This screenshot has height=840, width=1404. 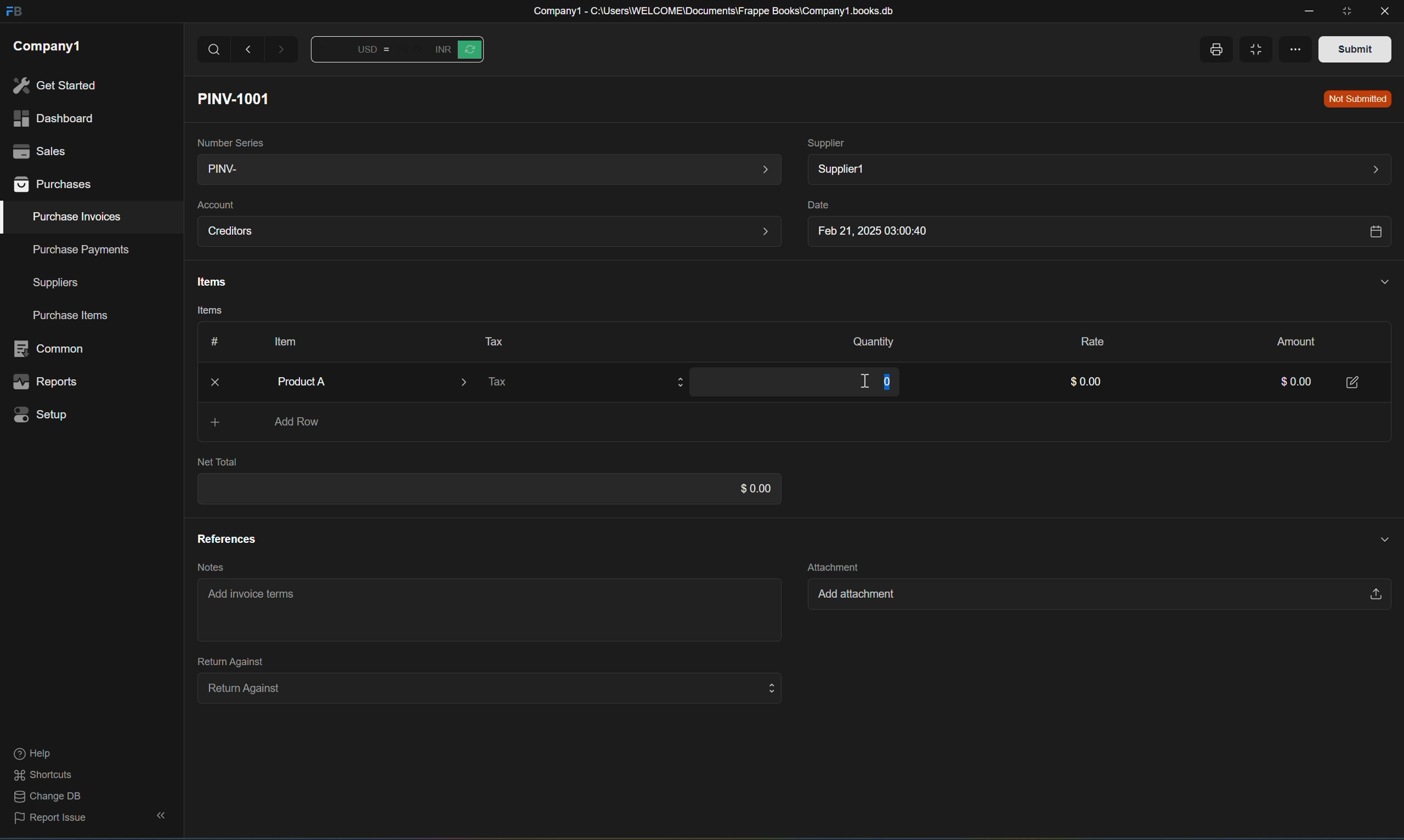 I want to click on Amount, so click(x=1290, y=340).